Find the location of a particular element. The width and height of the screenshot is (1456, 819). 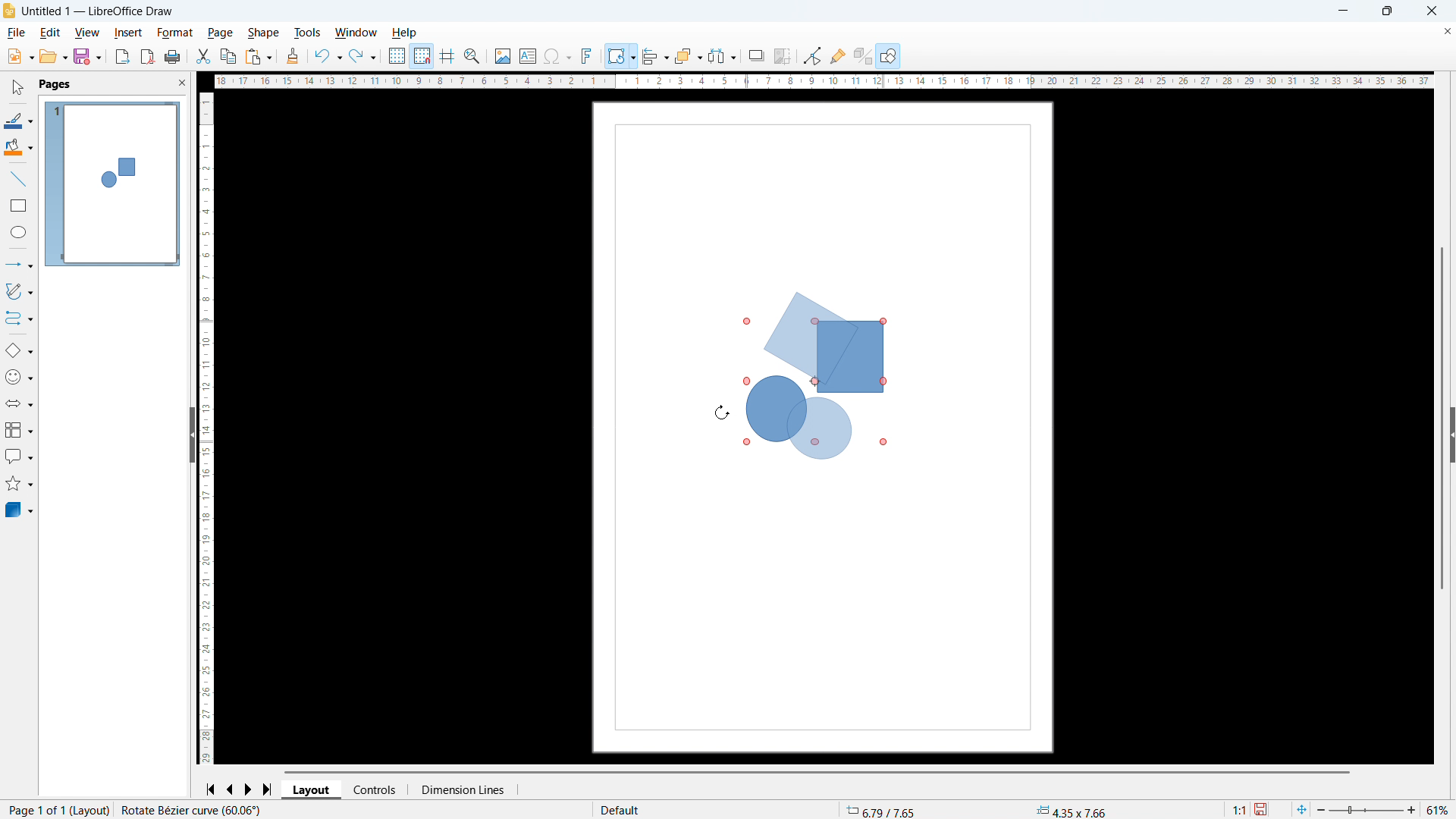

Action status is located at coordinates (190, 810).